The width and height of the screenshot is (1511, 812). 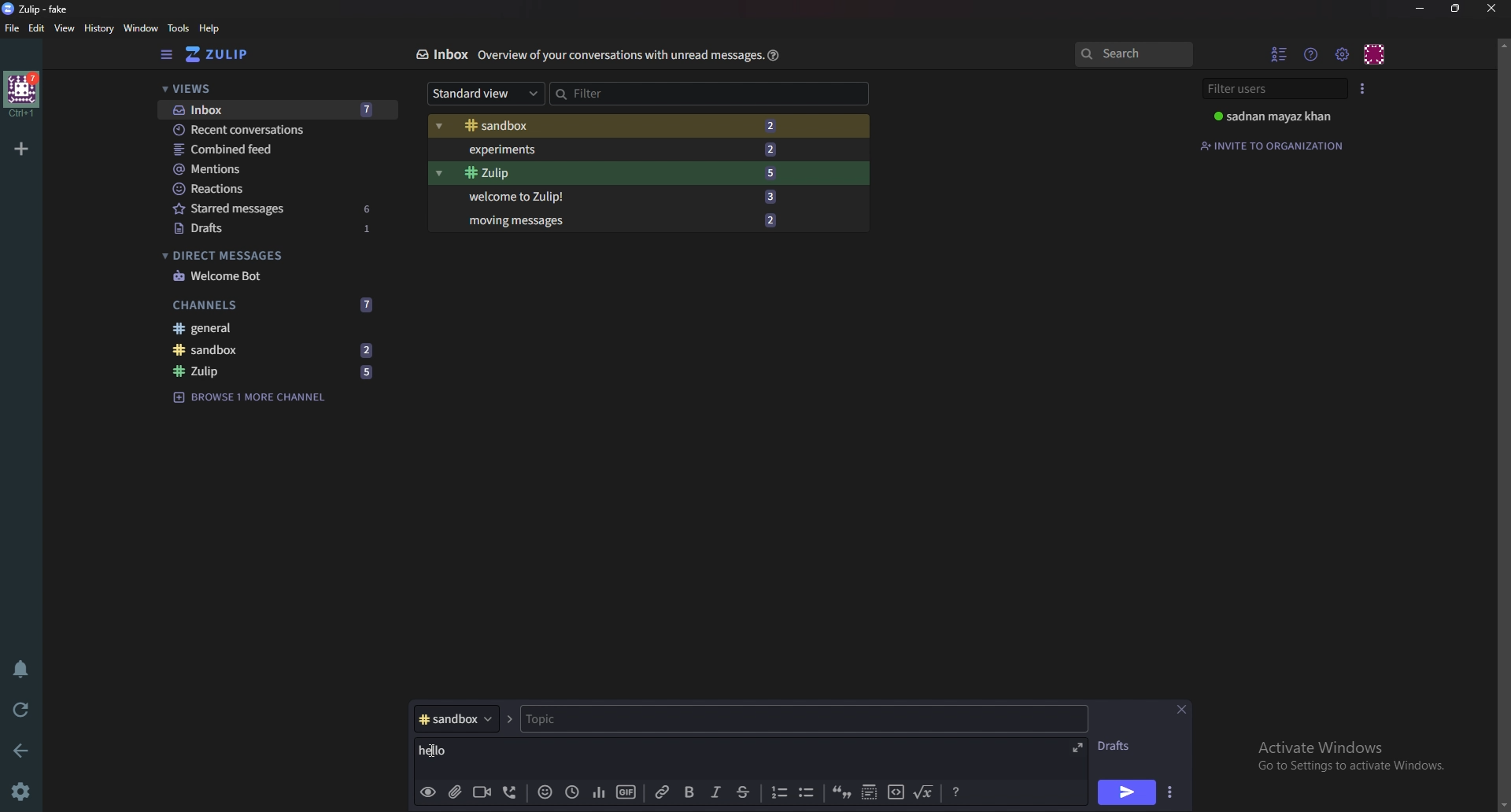 What do you see at coordinates (275, 209) in the screenshot?
I see `starred messages 6` at bounding box center [275, 209].